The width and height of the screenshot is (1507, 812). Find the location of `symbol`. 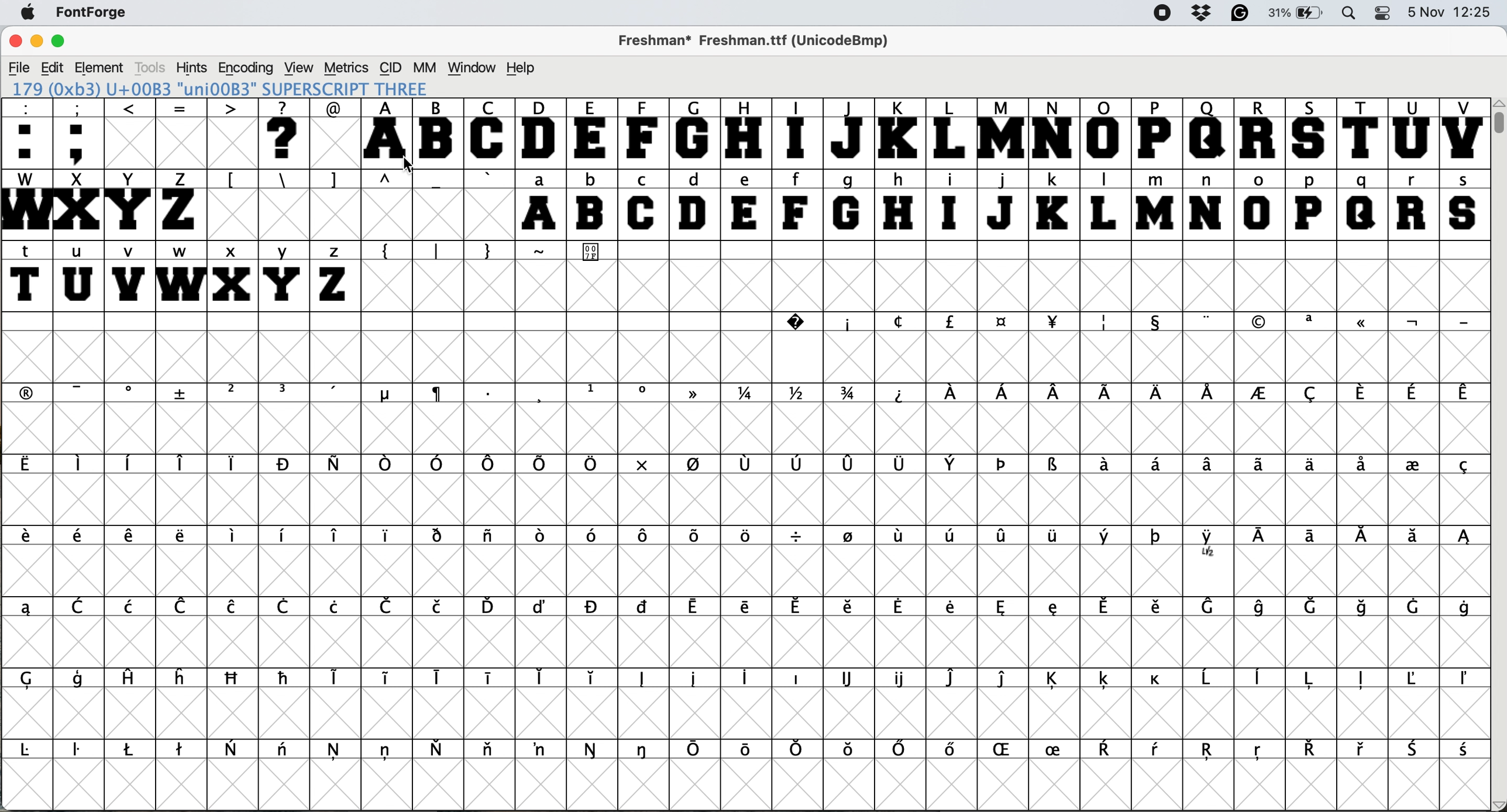

symbol is located at coordinates (594, 678).